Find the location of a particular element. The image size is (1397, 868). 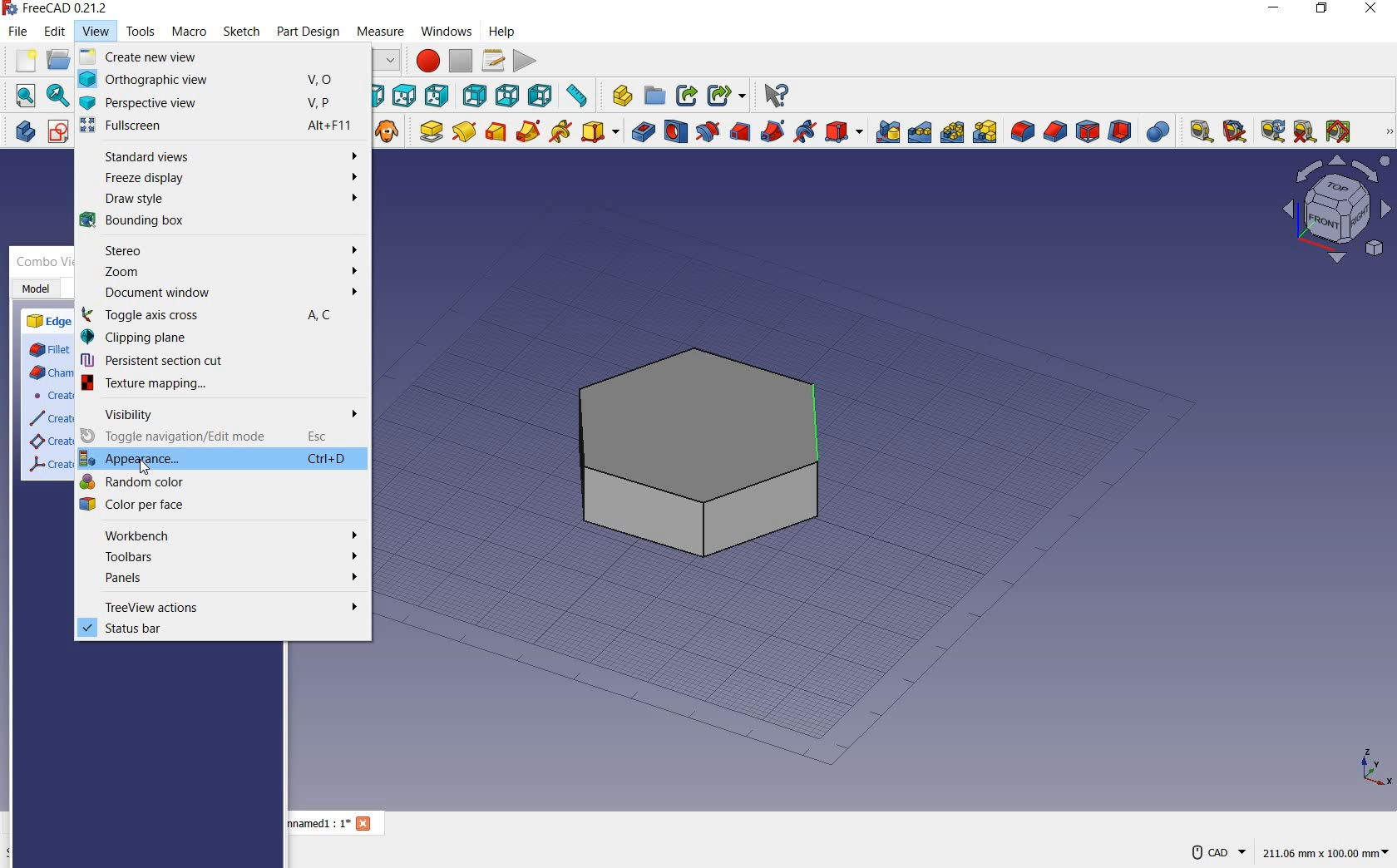

subtractive pipe is located at coordinates (773, 132).